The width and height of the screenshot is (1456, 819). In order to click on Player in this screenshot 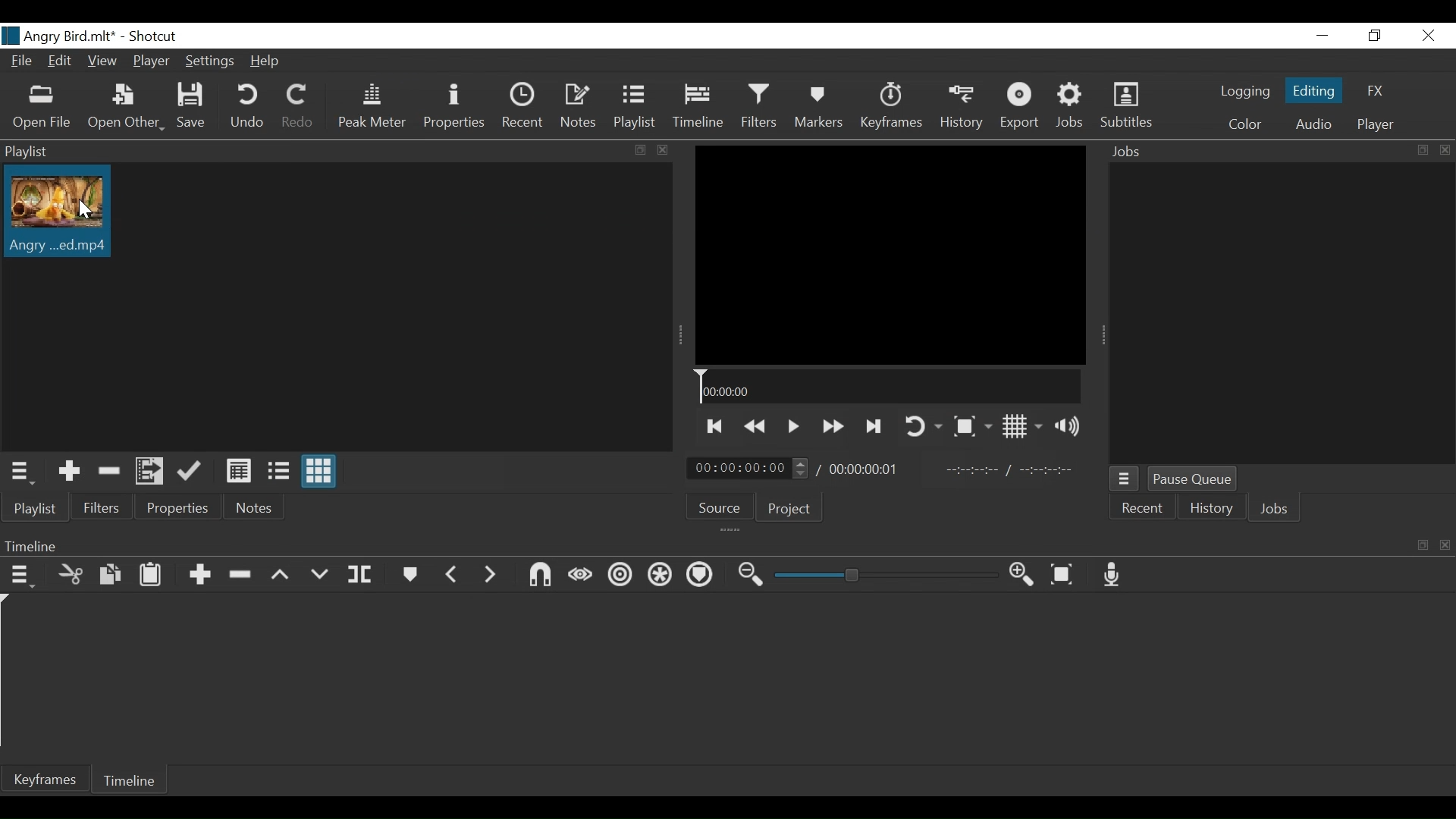, I will do `click(151, 61)`.